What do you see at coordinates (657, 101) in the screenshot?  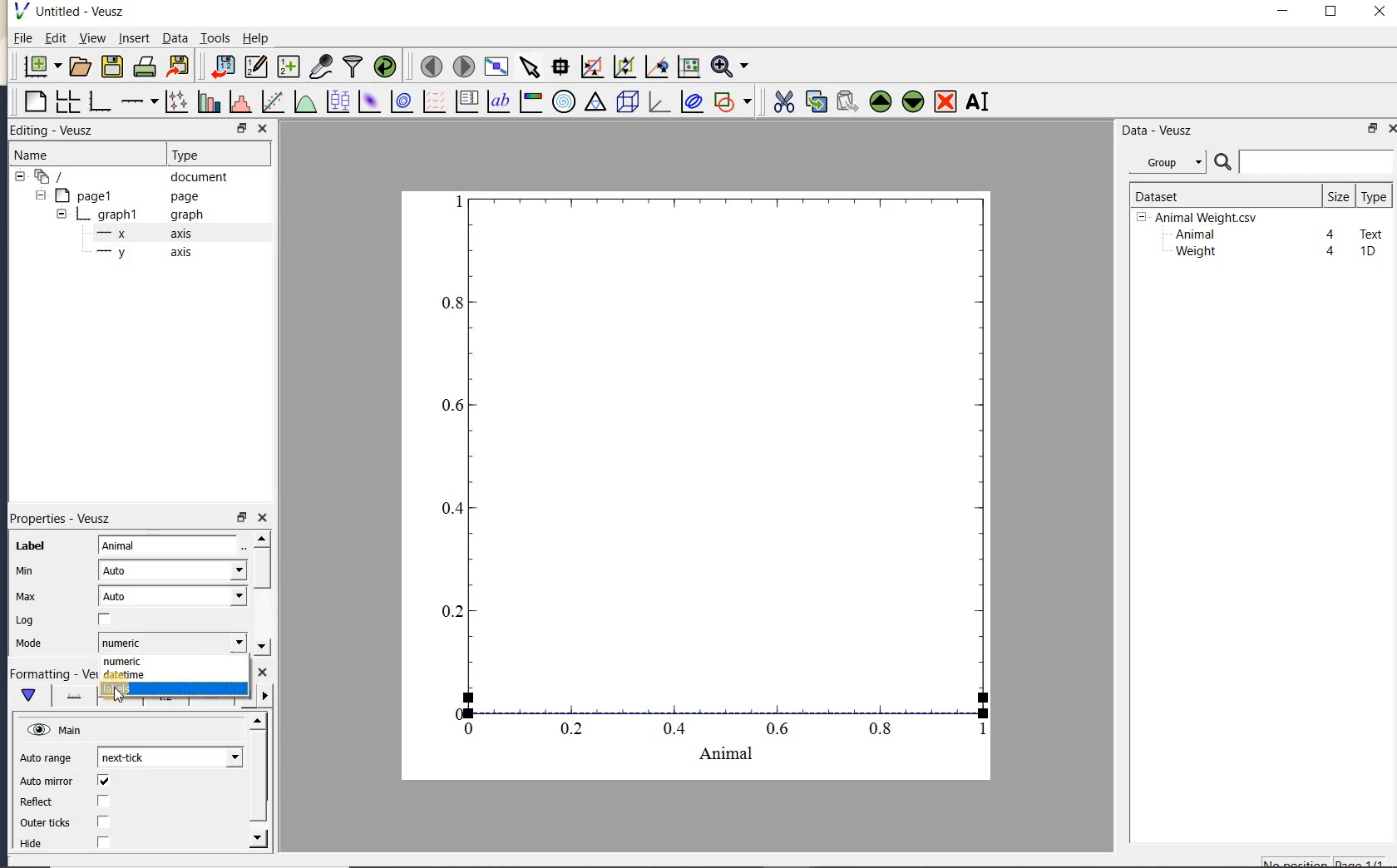 I see `3d graph` at bounding box center [657, 101].